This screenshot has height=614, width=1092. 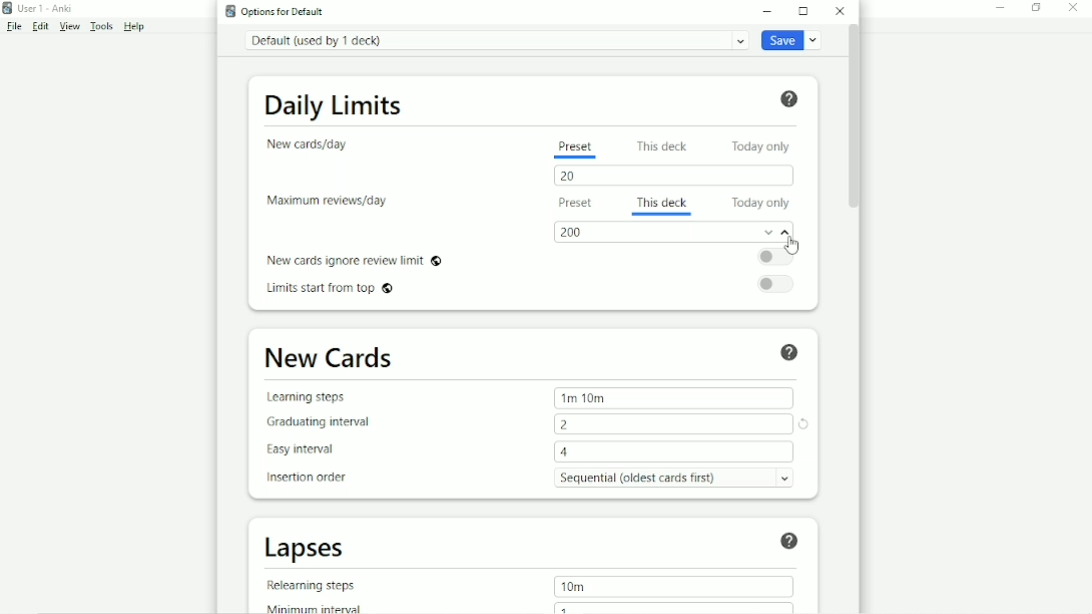 What do you see at coordinates (1003, 7) in the screenshot?
I see `Minimize` at bounding box center [1003, 7].